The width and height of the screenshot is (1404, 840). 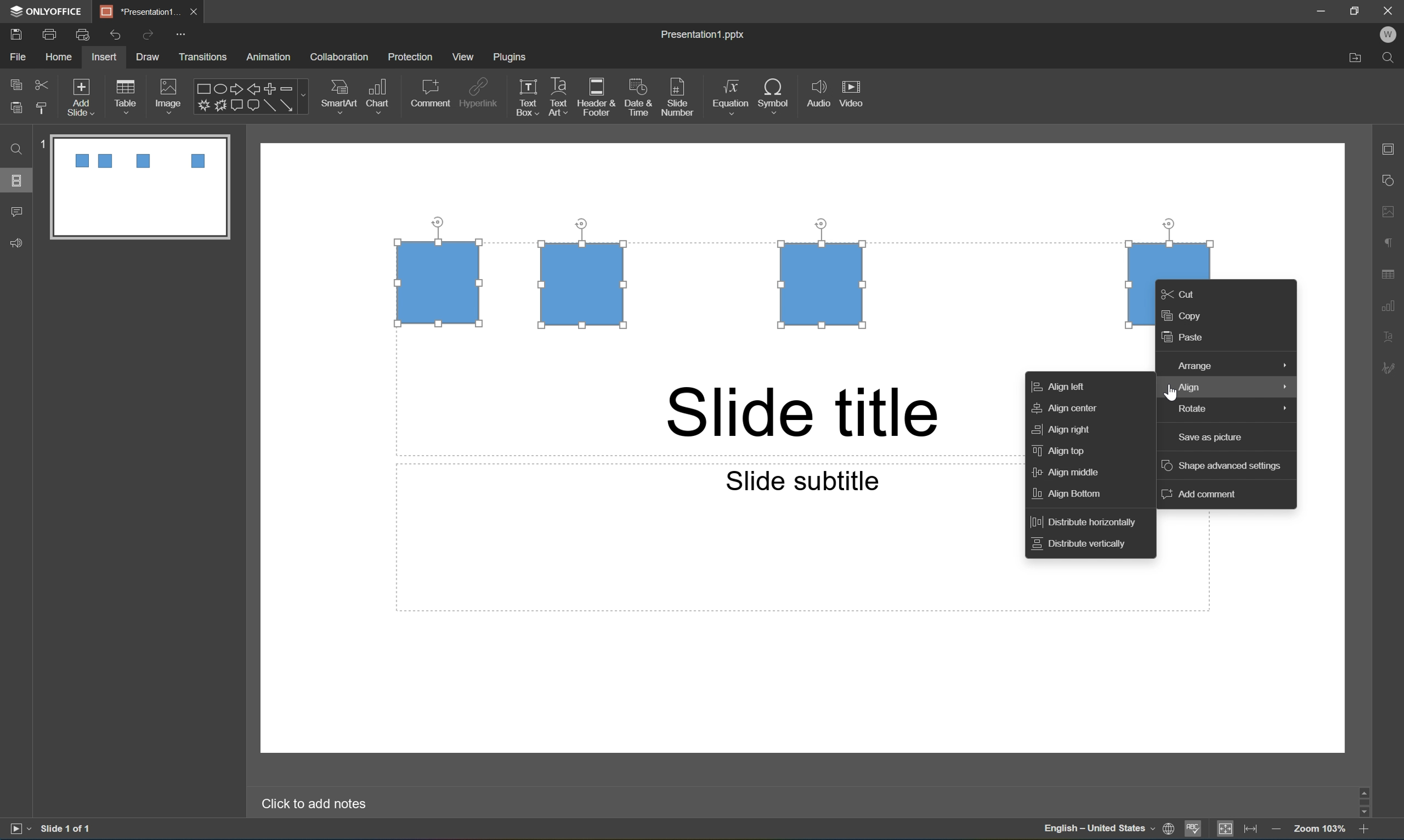 What do you see at coordinates (83, 33) in the screenshot?
I see `quick print` at bounding box center [83, 33].